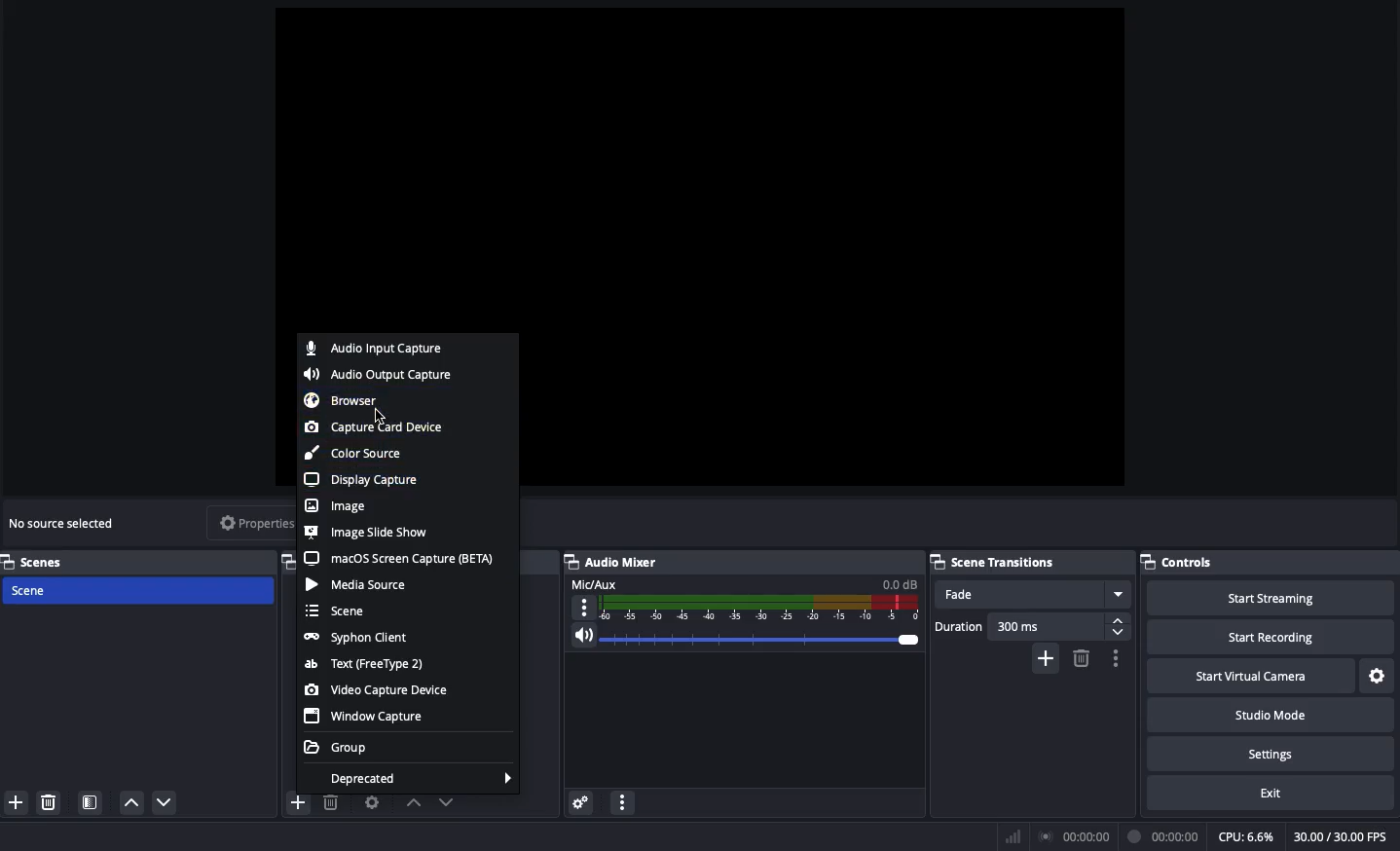  What do you see at coordinates (298, 802) in the screenshot?
I see `add` at bounding box center [298, 802].